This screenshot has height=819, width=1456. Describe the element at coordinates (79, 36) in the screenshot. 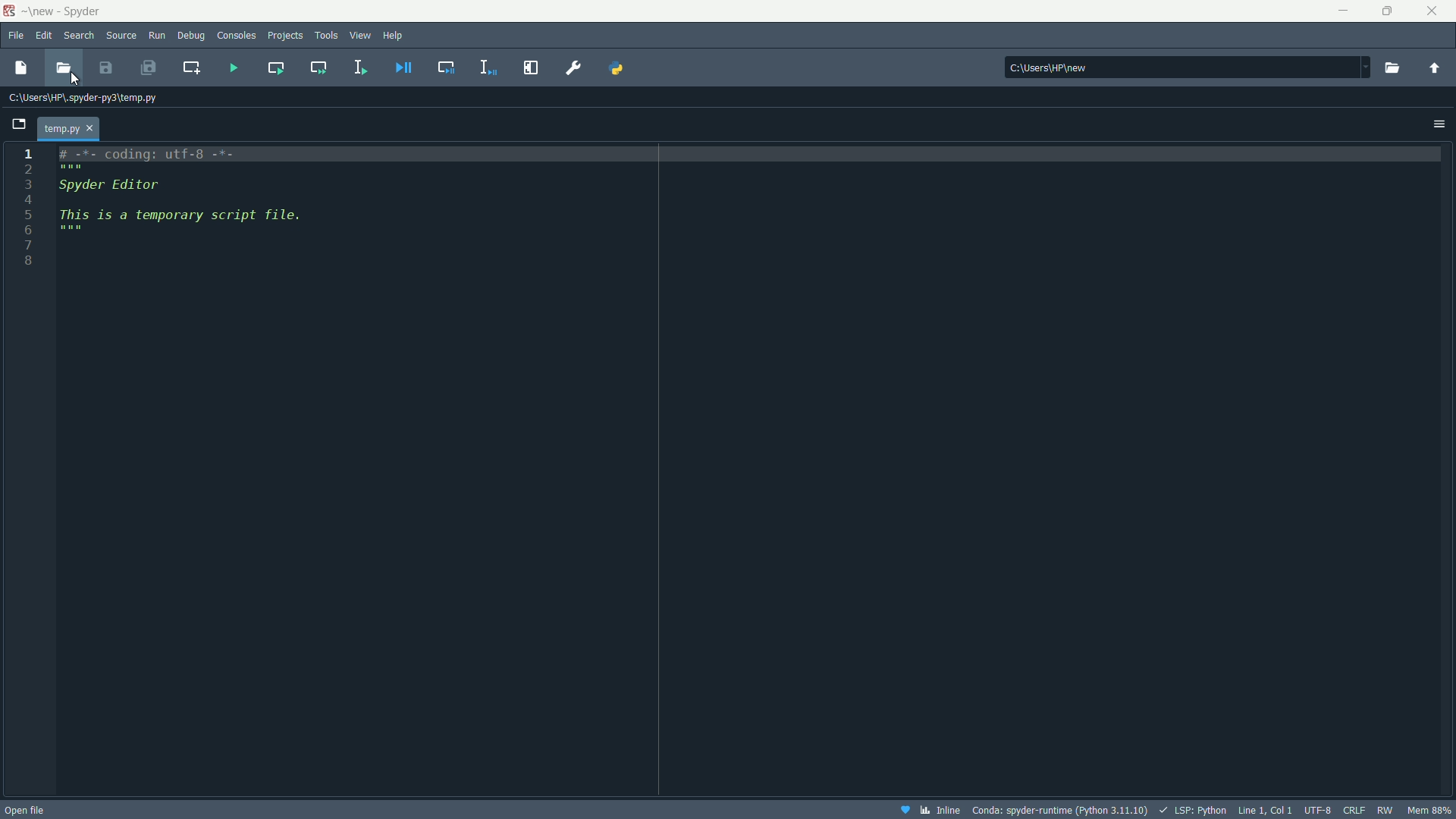

I see `Search menu` at that location.